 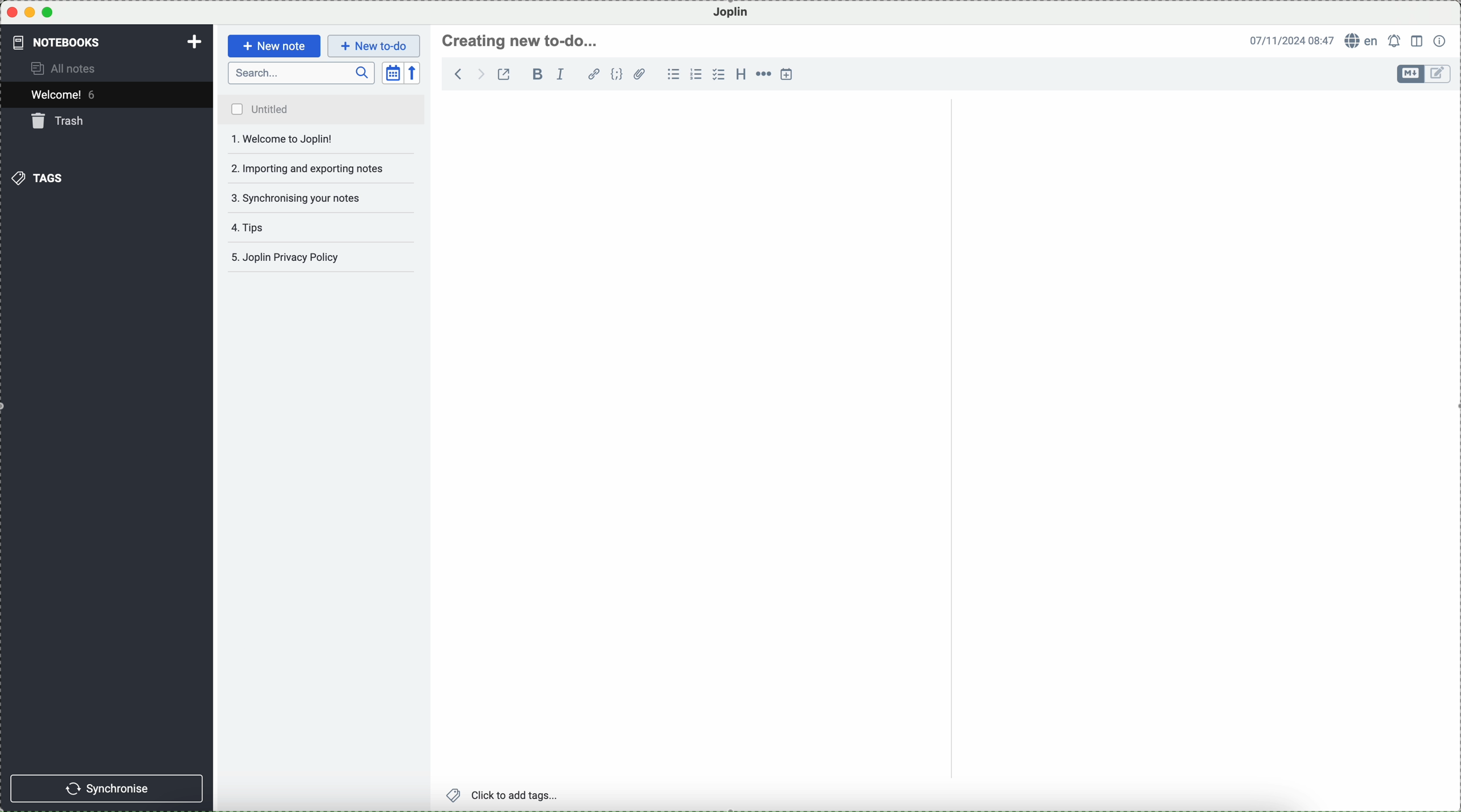 I want to click on toggle editors, so click(x=1439, y=74).